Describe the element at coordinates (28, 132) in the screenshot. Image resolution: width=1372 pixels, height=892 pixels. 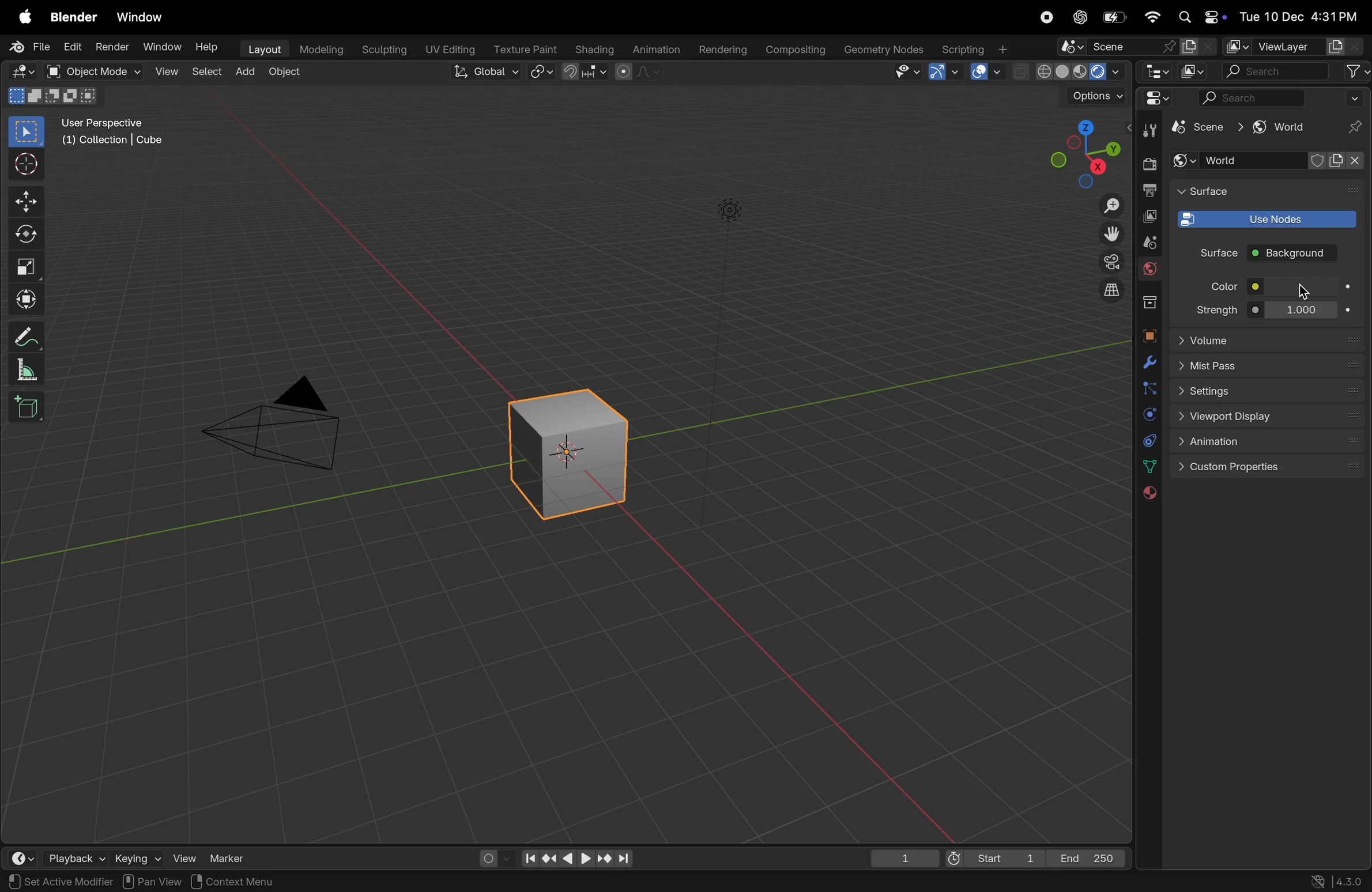
I see `select` at that location.